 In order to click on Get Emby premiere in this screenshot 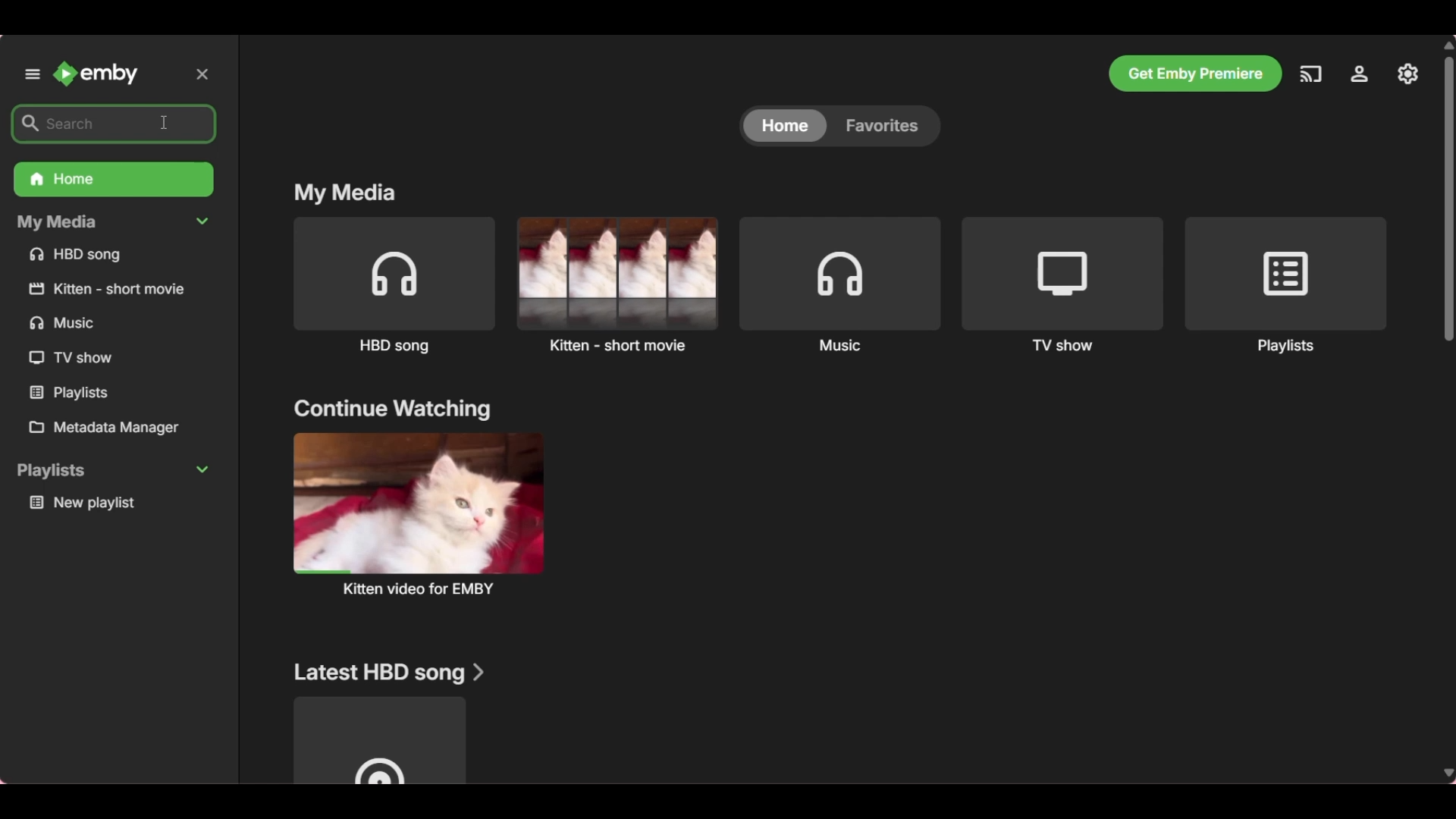, I will do `click(1195, 74)`.